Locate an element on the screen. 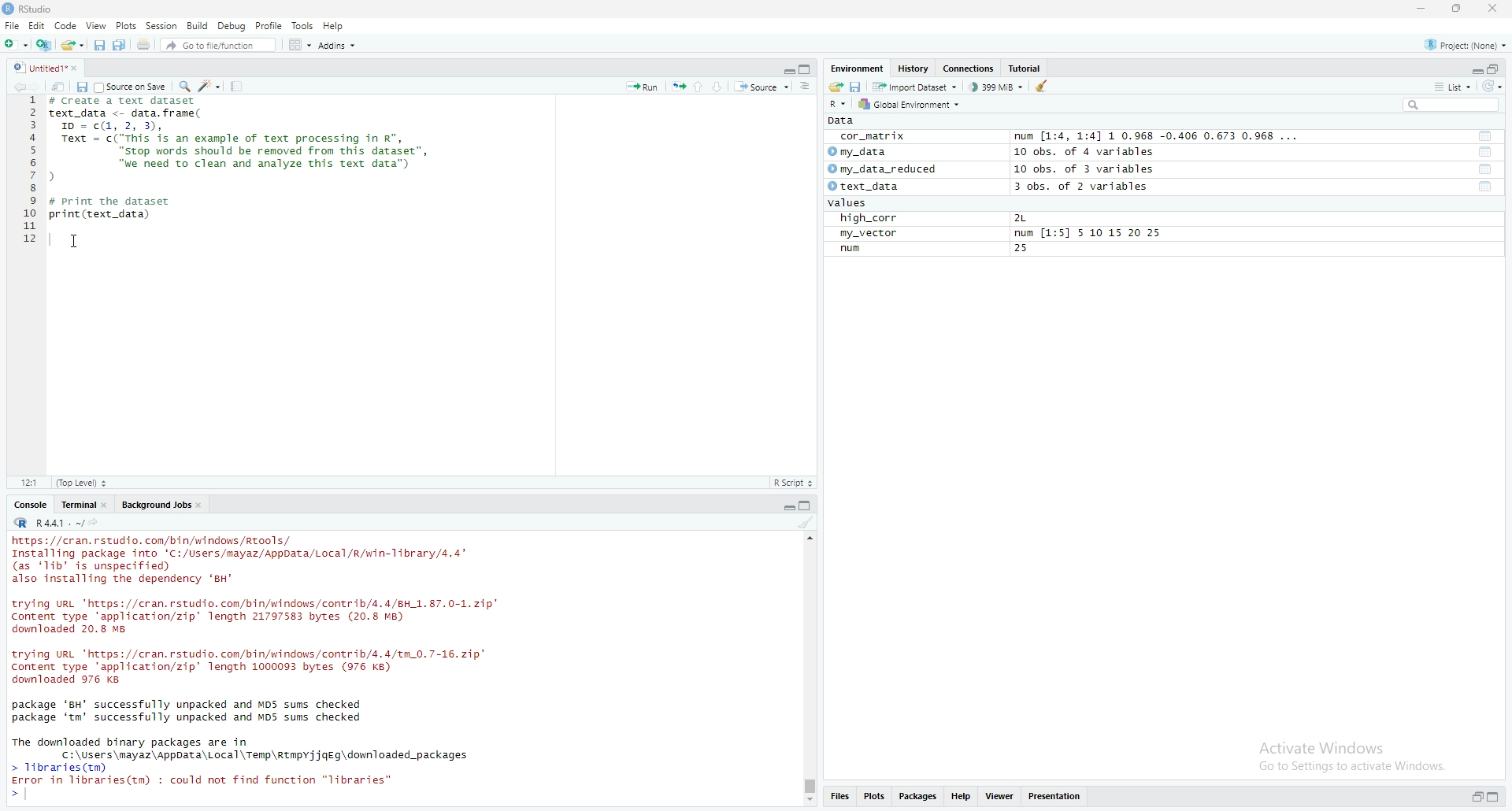 The height and width of the screenshot is (811, 1512). collapse is located at coordinates (806, 71).